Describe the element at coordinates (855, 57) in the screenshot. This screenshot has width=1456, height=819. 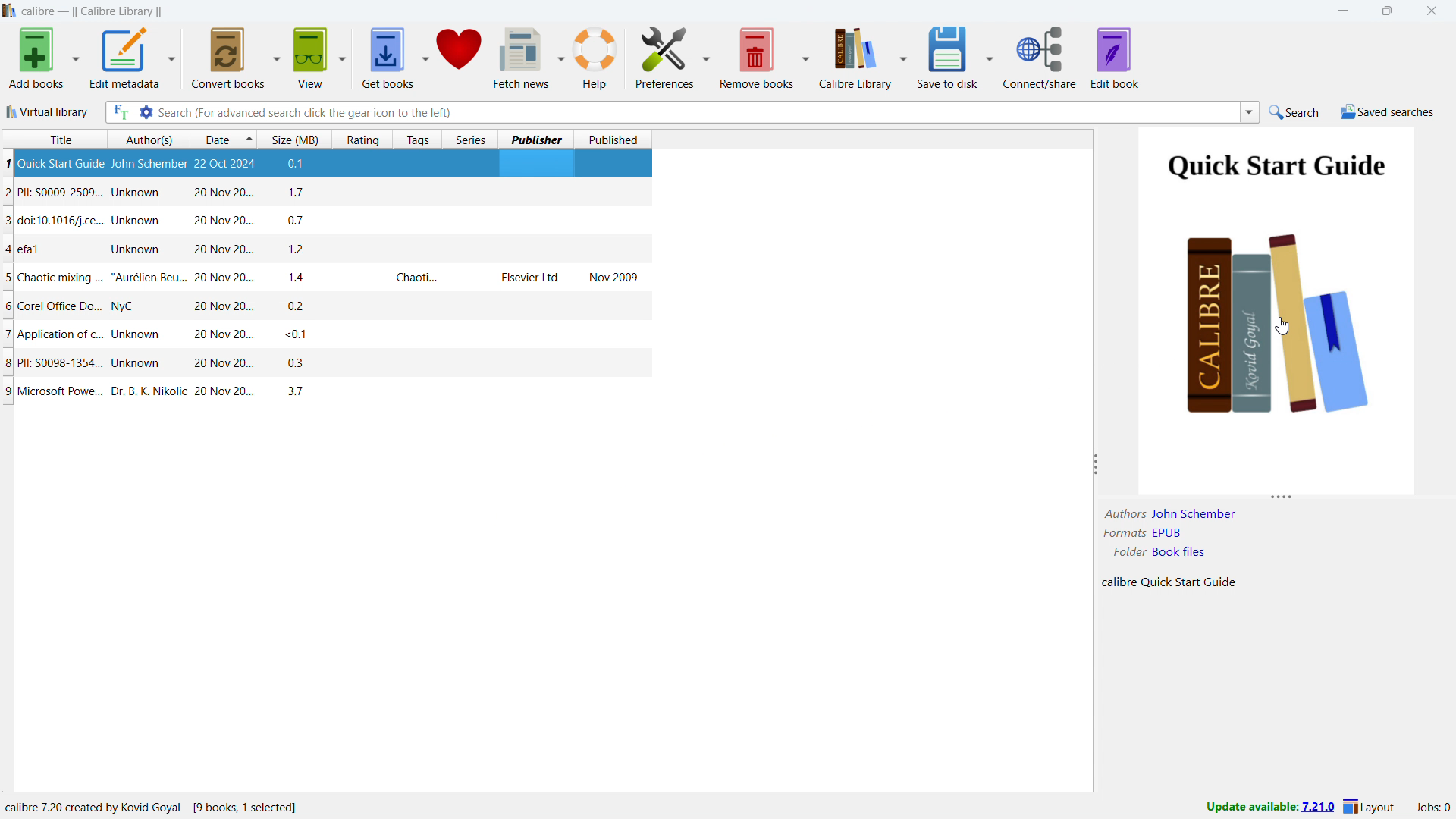
I see `calibre library` at that location.